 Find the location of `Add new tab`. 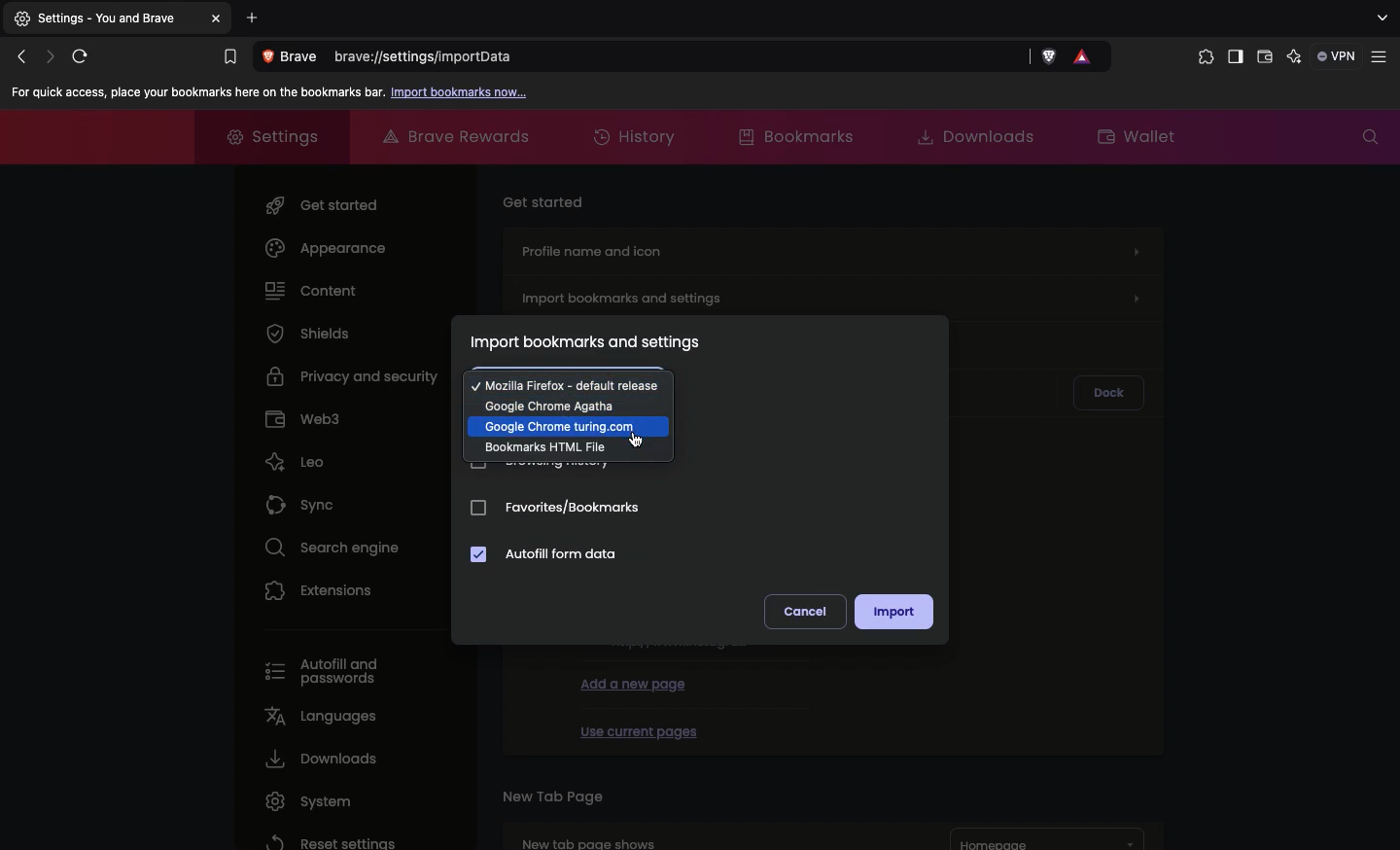

Add new tab is located at coordinates (253, 18).